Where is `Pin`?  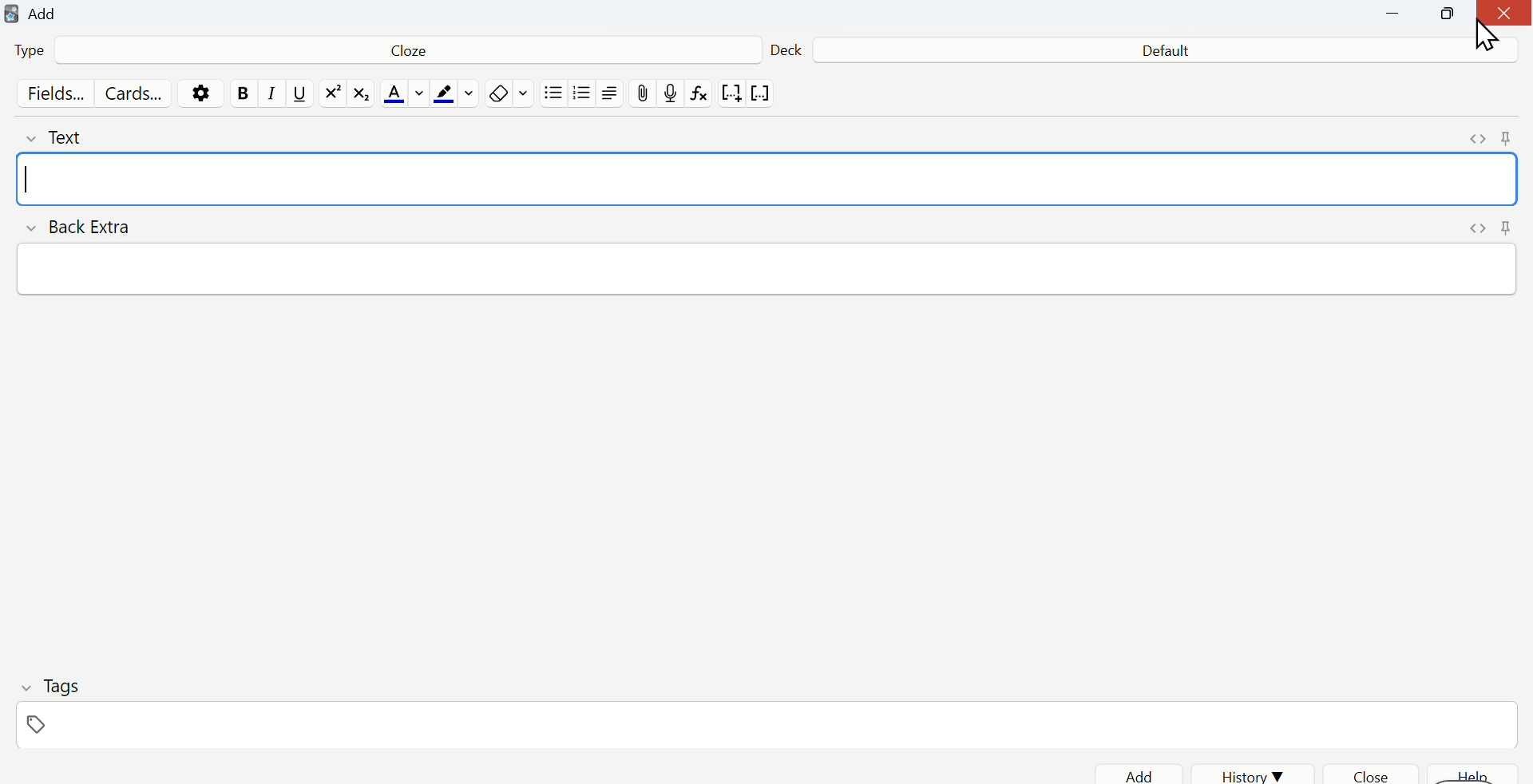 Pin is located at coordinates (1505, 136).